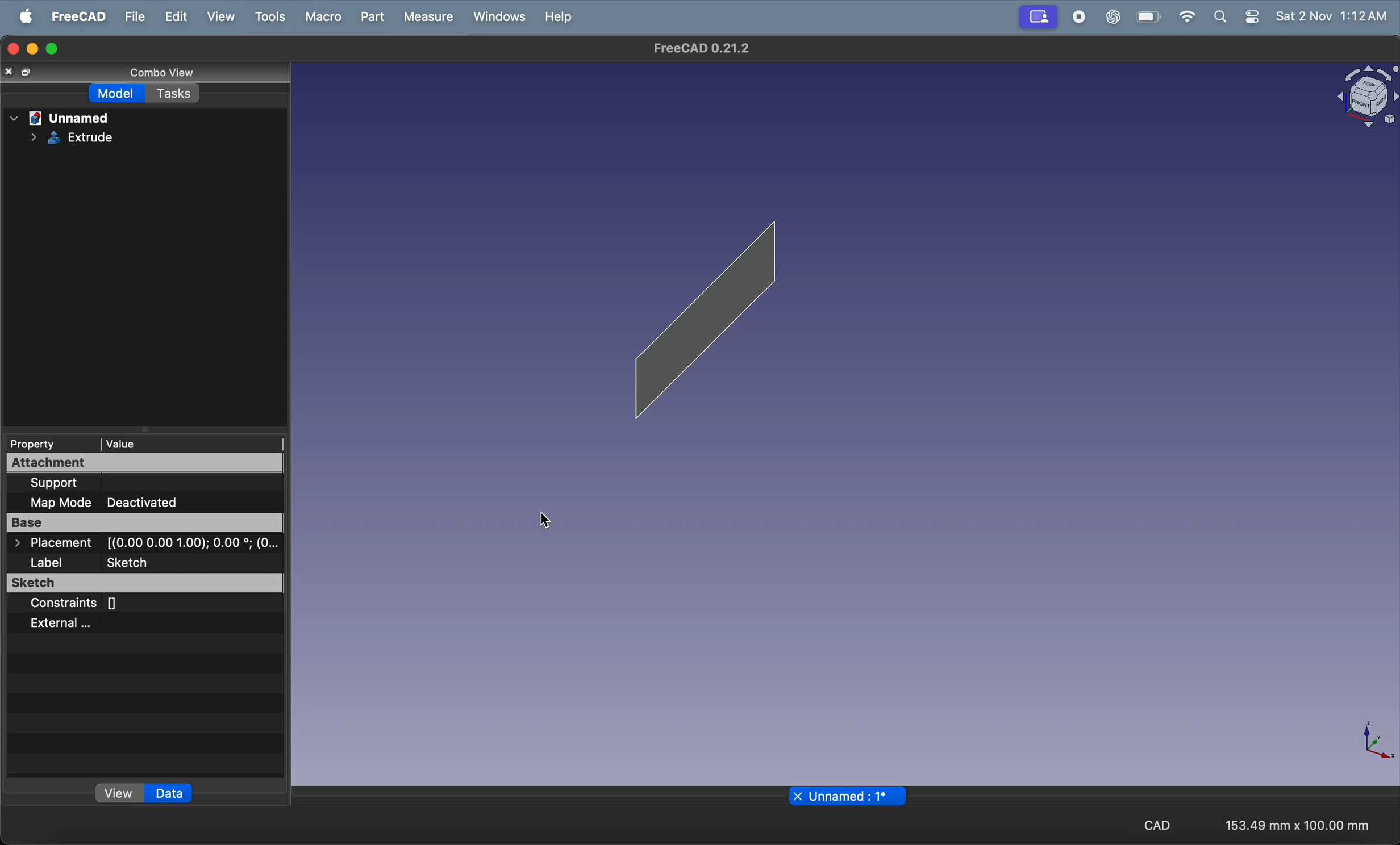  Describe the element at coordinates (12, 49) in the screenshot. I see `closing window` at that location.